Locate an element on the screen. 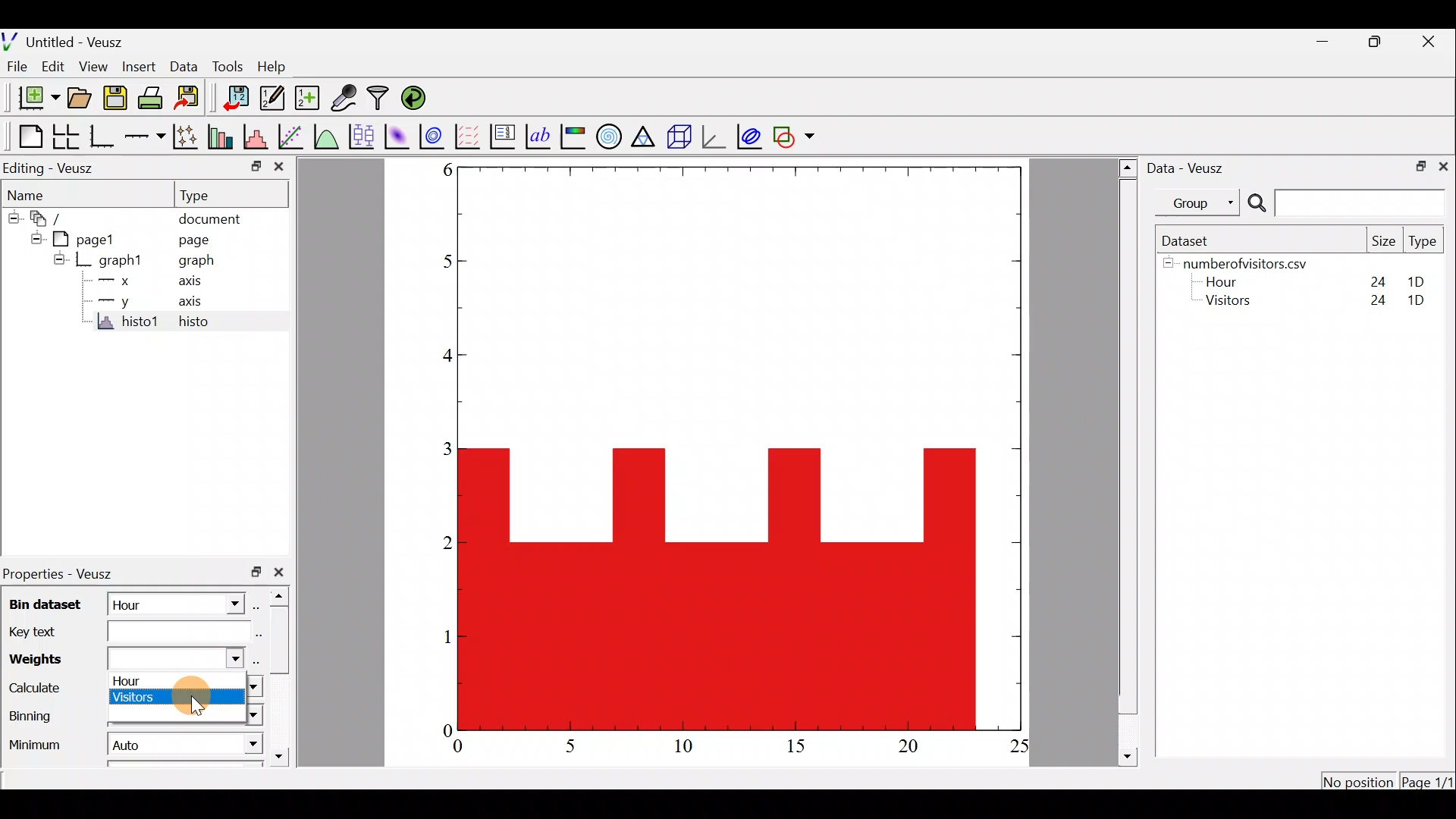 This screenshot has width=1456, height=819. 5 is located at coordinates (441, 260).